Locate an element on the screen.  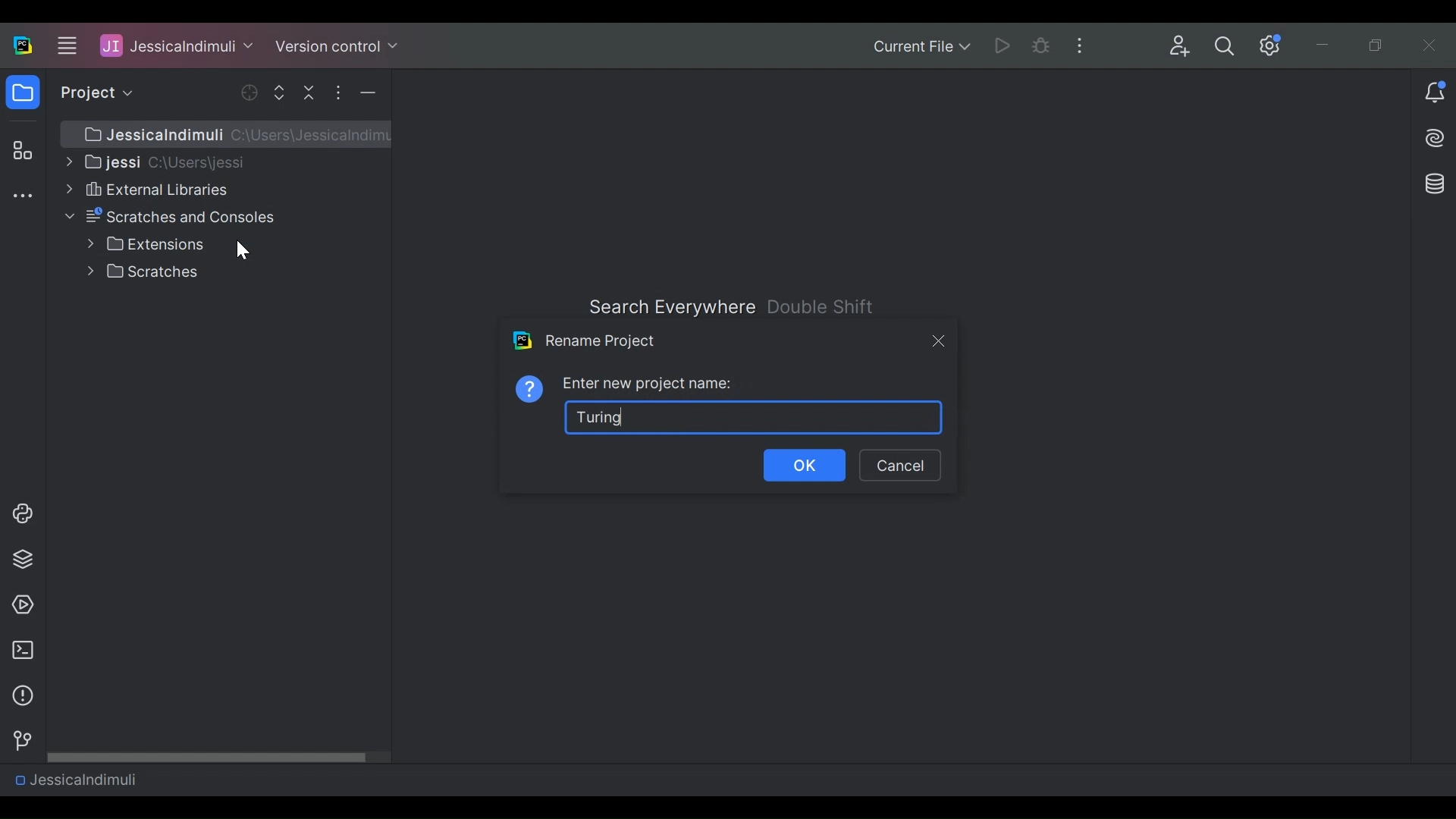
Cancel is located at coordinates (899, 466).